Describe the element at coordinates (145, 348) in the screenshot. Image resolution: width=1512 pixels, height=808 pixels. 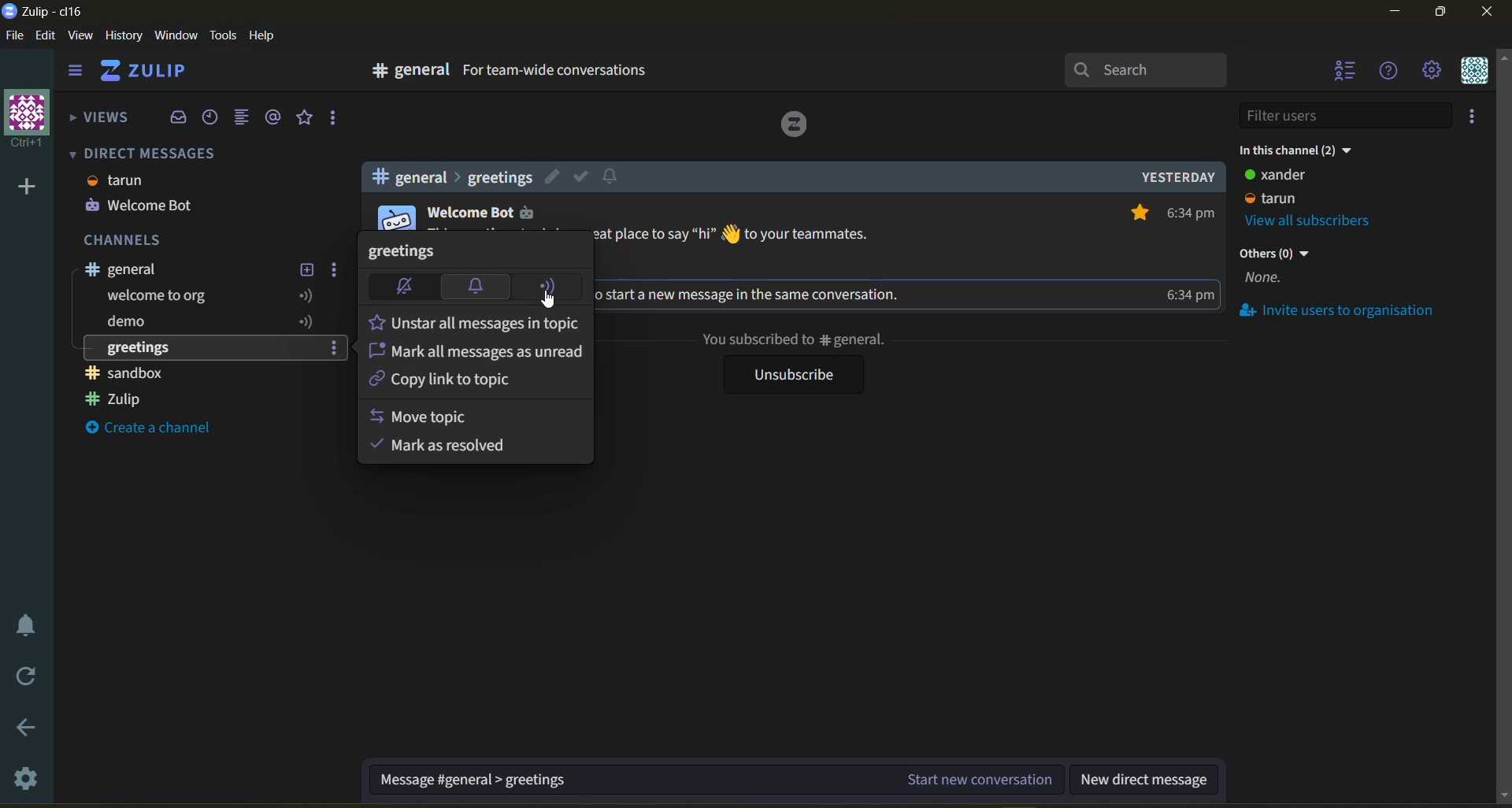
I see `greetings` at that location.